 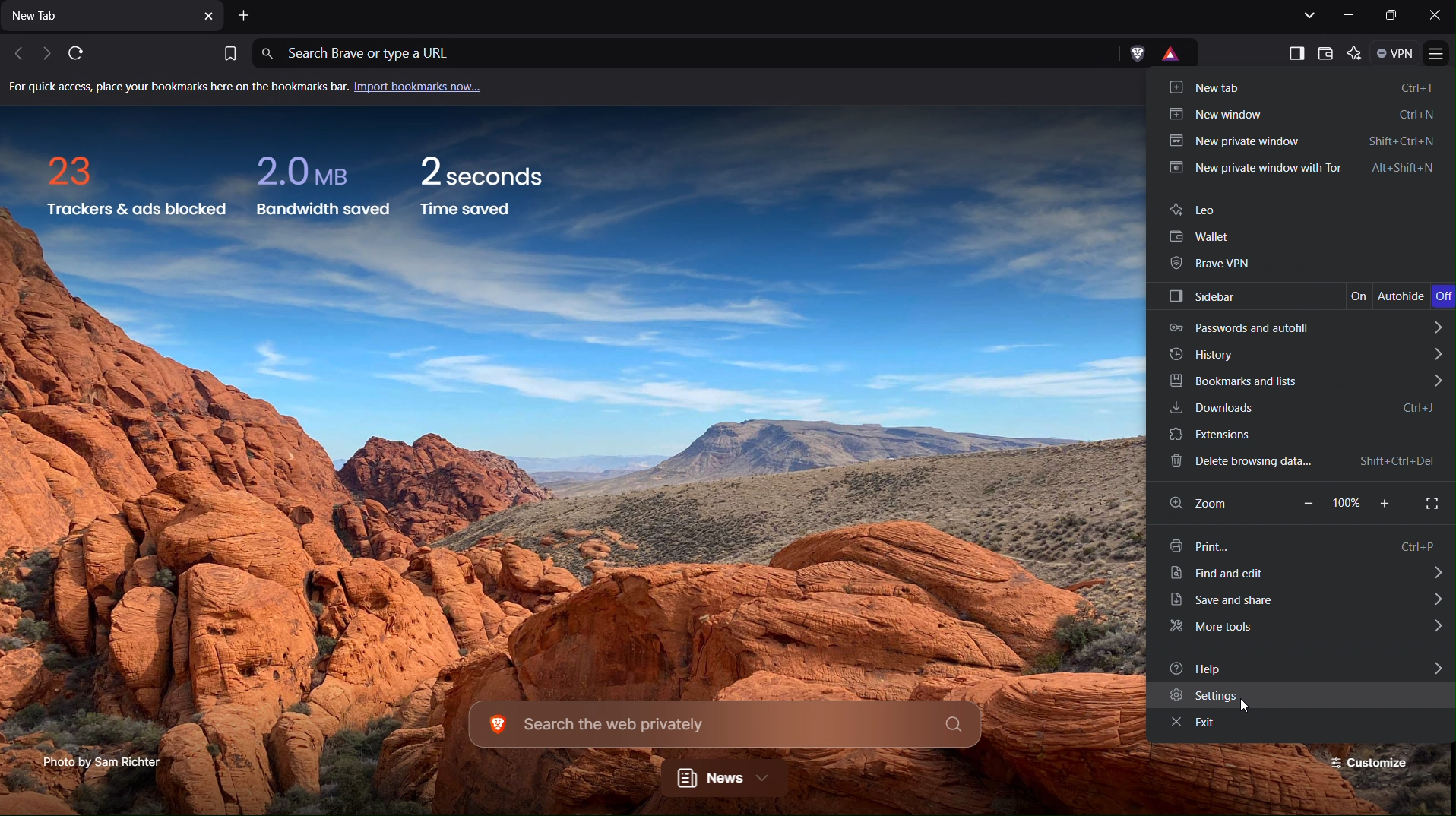 I want to click on Delete browsing data, so click(x=1302, y=464).